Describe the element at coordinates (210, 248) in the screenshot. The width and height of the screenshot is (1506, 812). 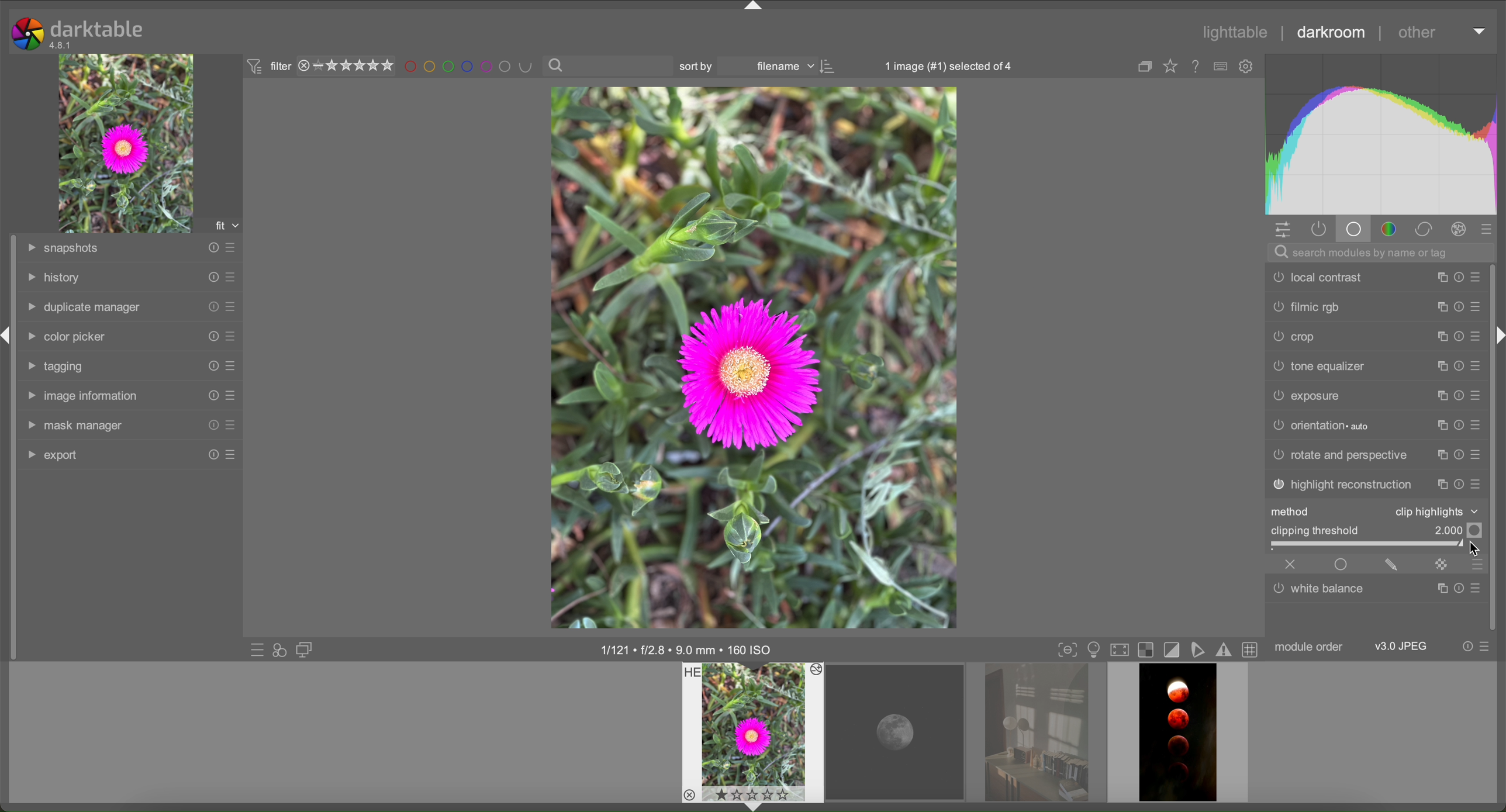
I see `reset presets` at that location.